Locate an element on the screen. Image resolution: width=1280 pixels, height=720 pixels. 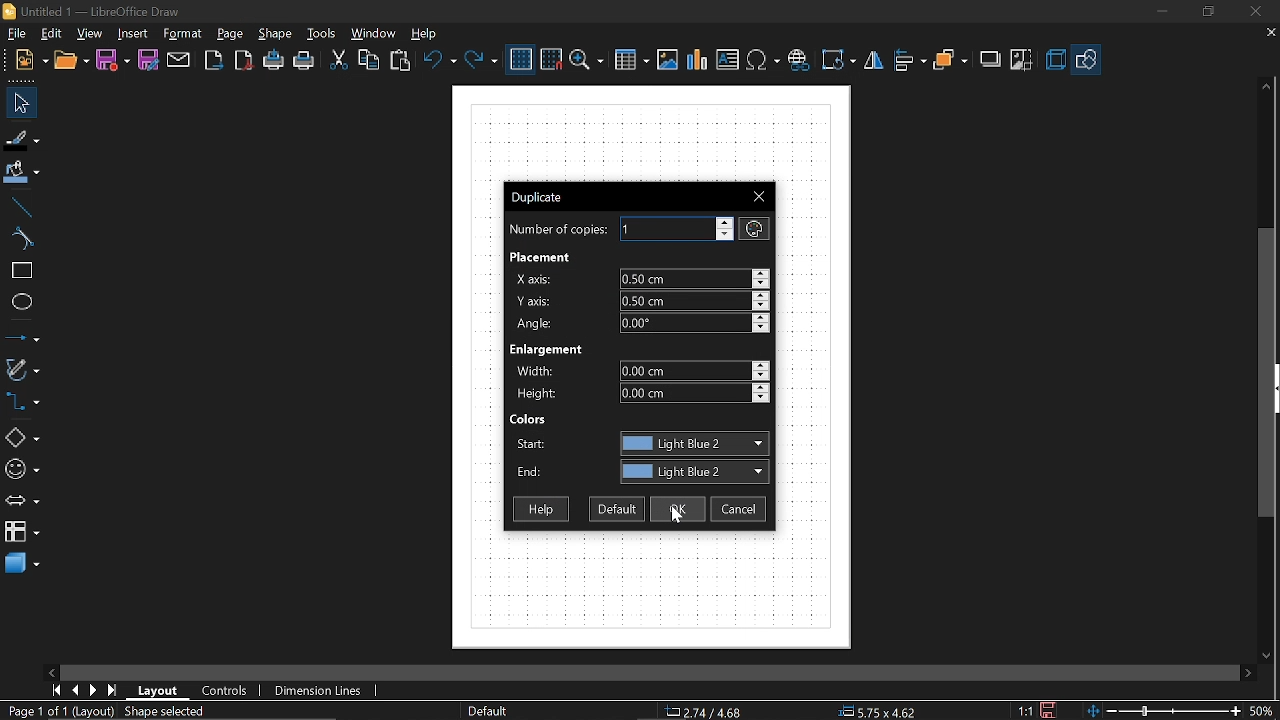
Crop is located at coordinates (1022, 61).